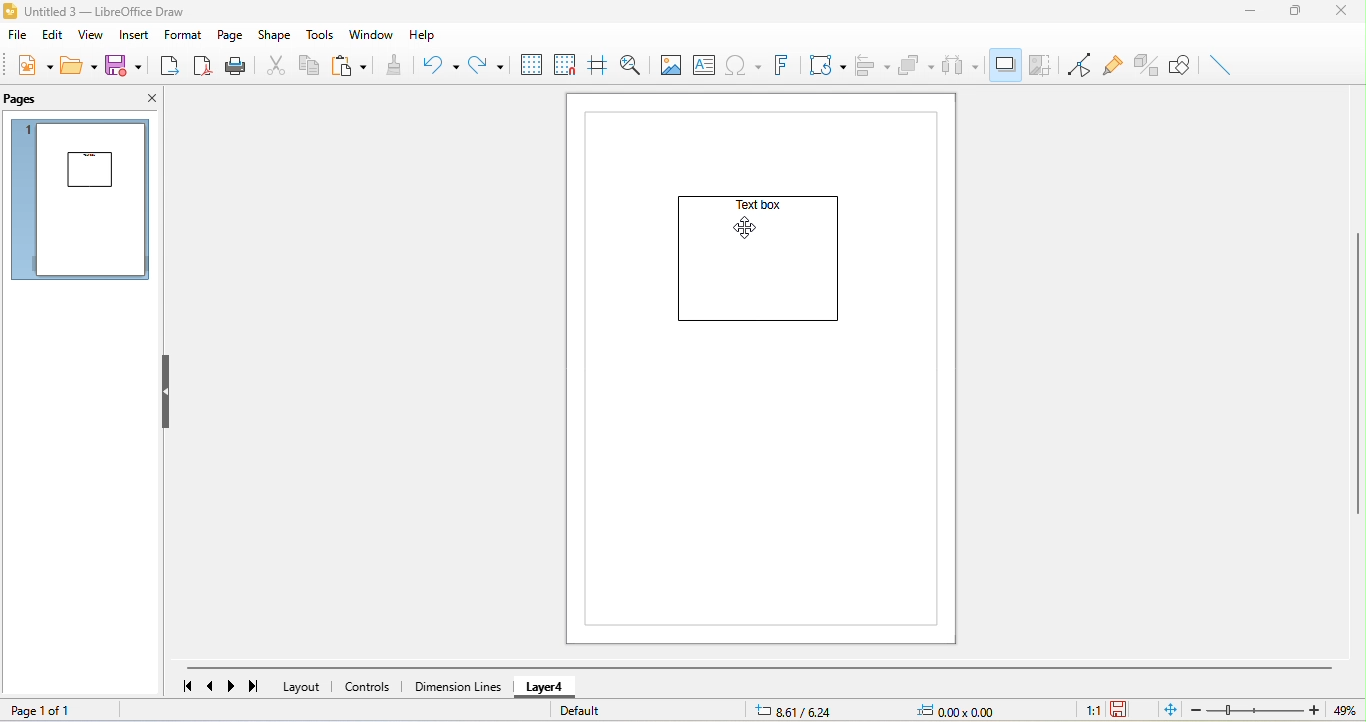  I want to click on redo, so click(490, 65).